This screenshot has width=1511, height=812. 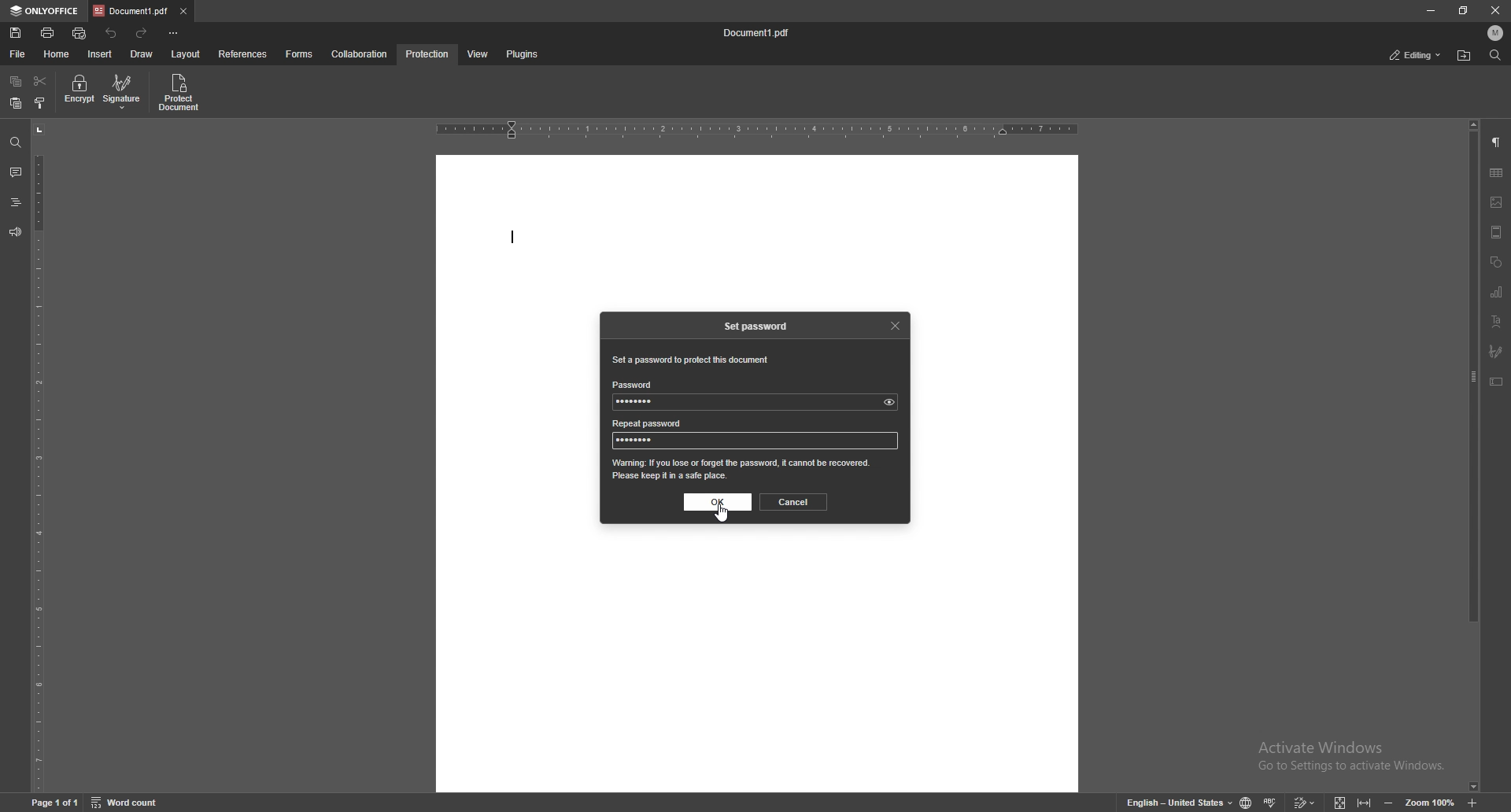 I want to click on cursor, so click(x=720, y=514).